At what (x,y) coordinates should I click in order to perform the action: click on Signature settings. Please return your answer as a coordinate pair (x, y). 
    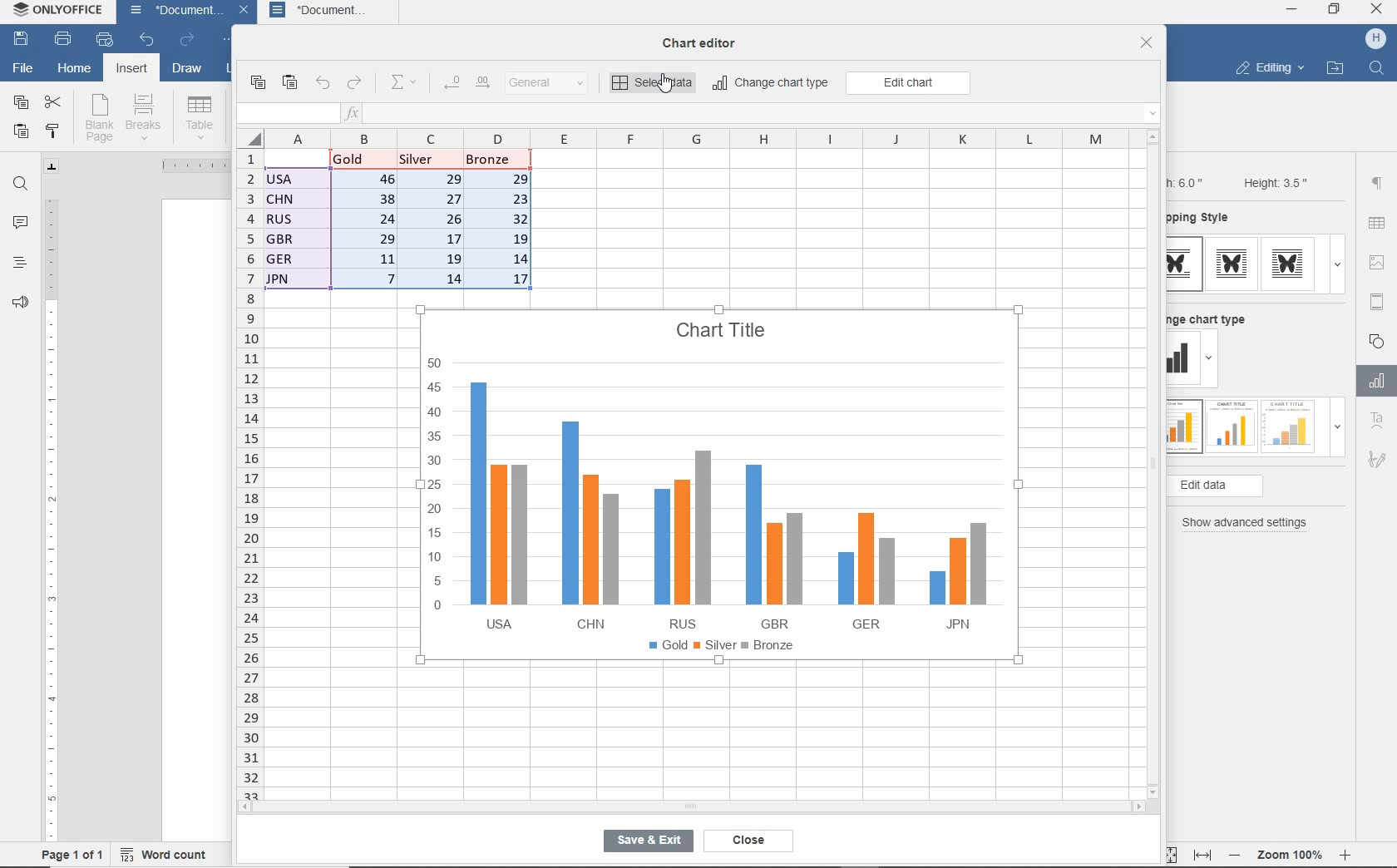
    Looking at the image, I should click on (1376, 463).